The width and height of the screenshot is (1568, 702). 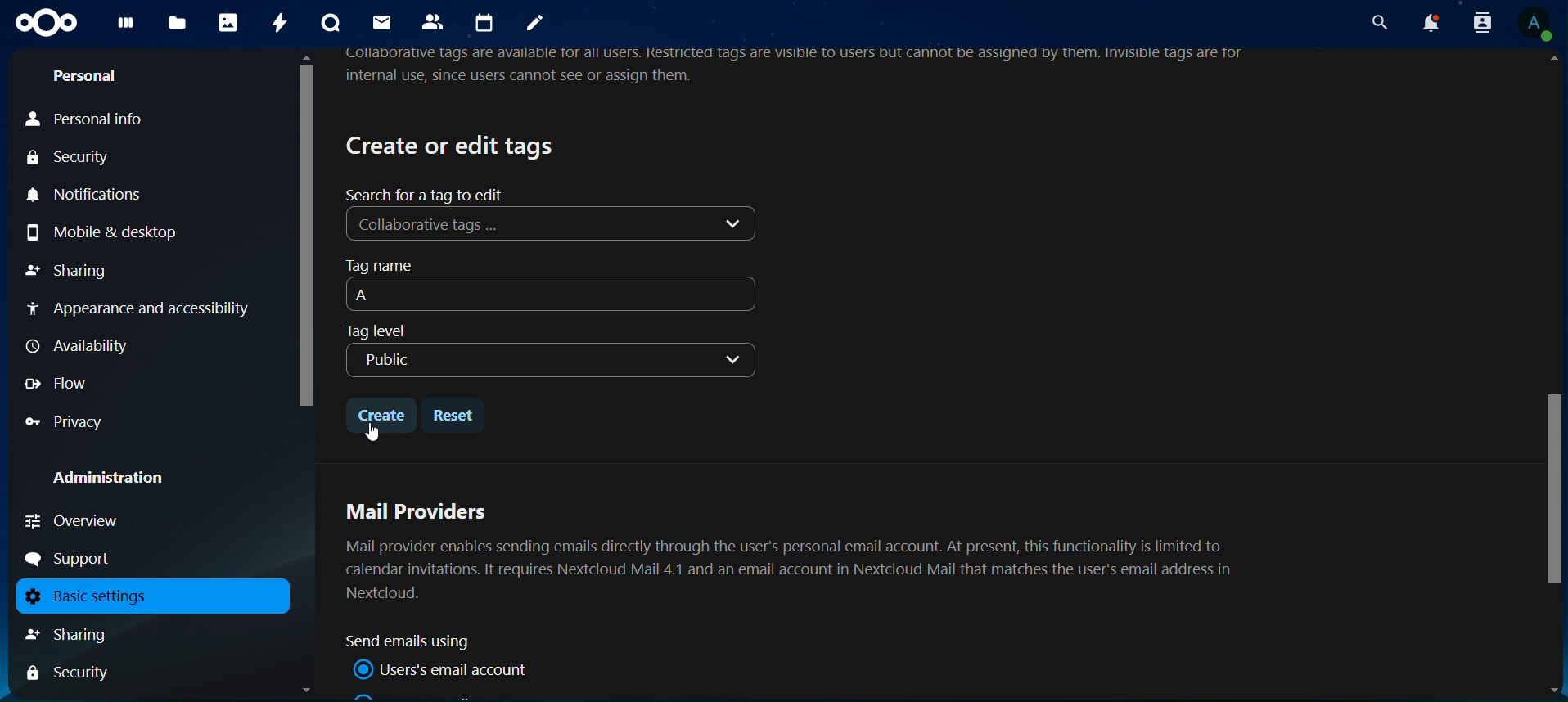 What do you see at coordinates (445, 669) in the screenshot?
I see `user mail account` at bounding box center [445, 669].